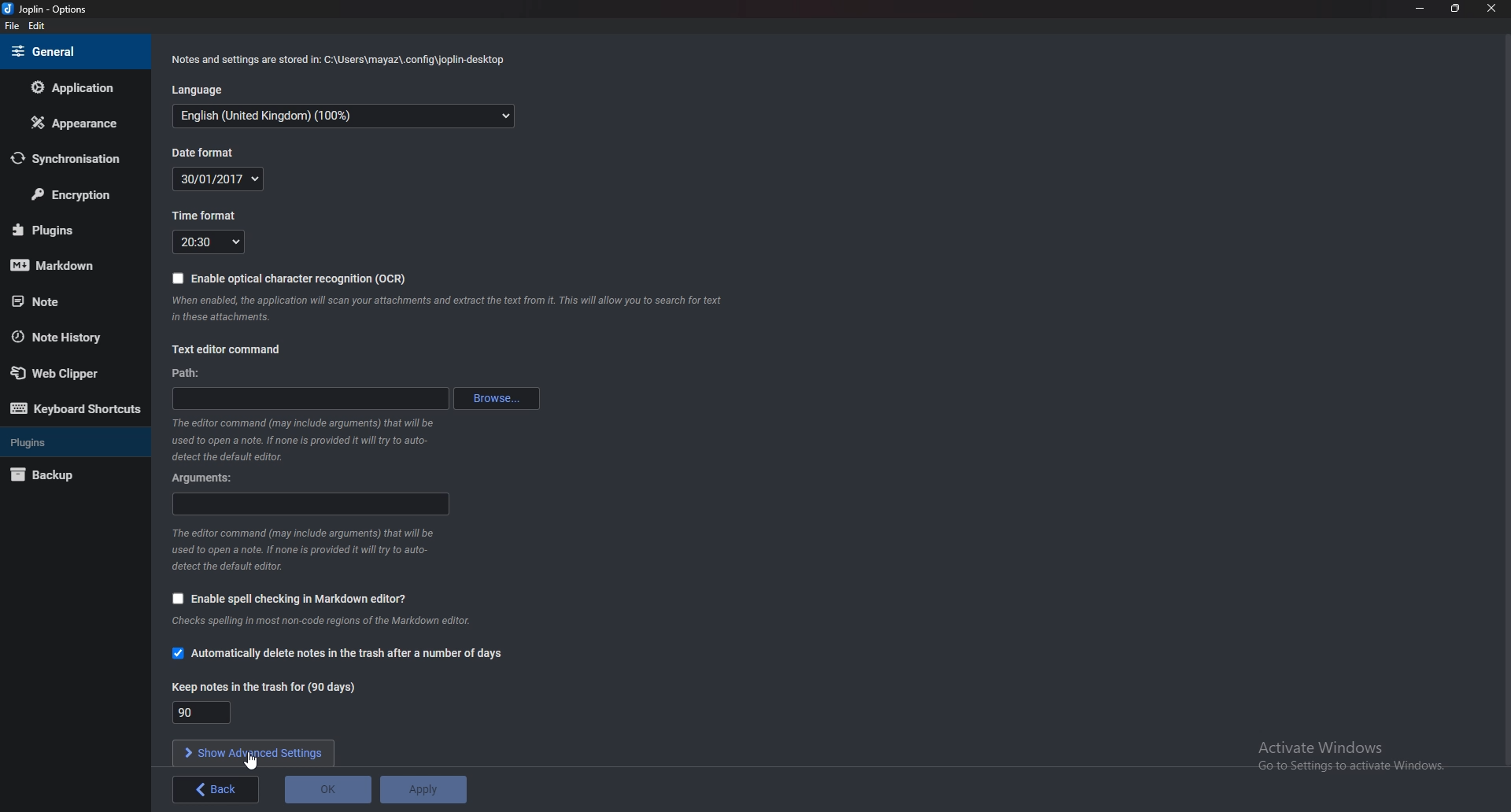 The image size is (1511, 812). What do you see at coordinates (275, 686) in the screenshot?
I see `Keep notes in the trash for` at bounding box center [275, 686].